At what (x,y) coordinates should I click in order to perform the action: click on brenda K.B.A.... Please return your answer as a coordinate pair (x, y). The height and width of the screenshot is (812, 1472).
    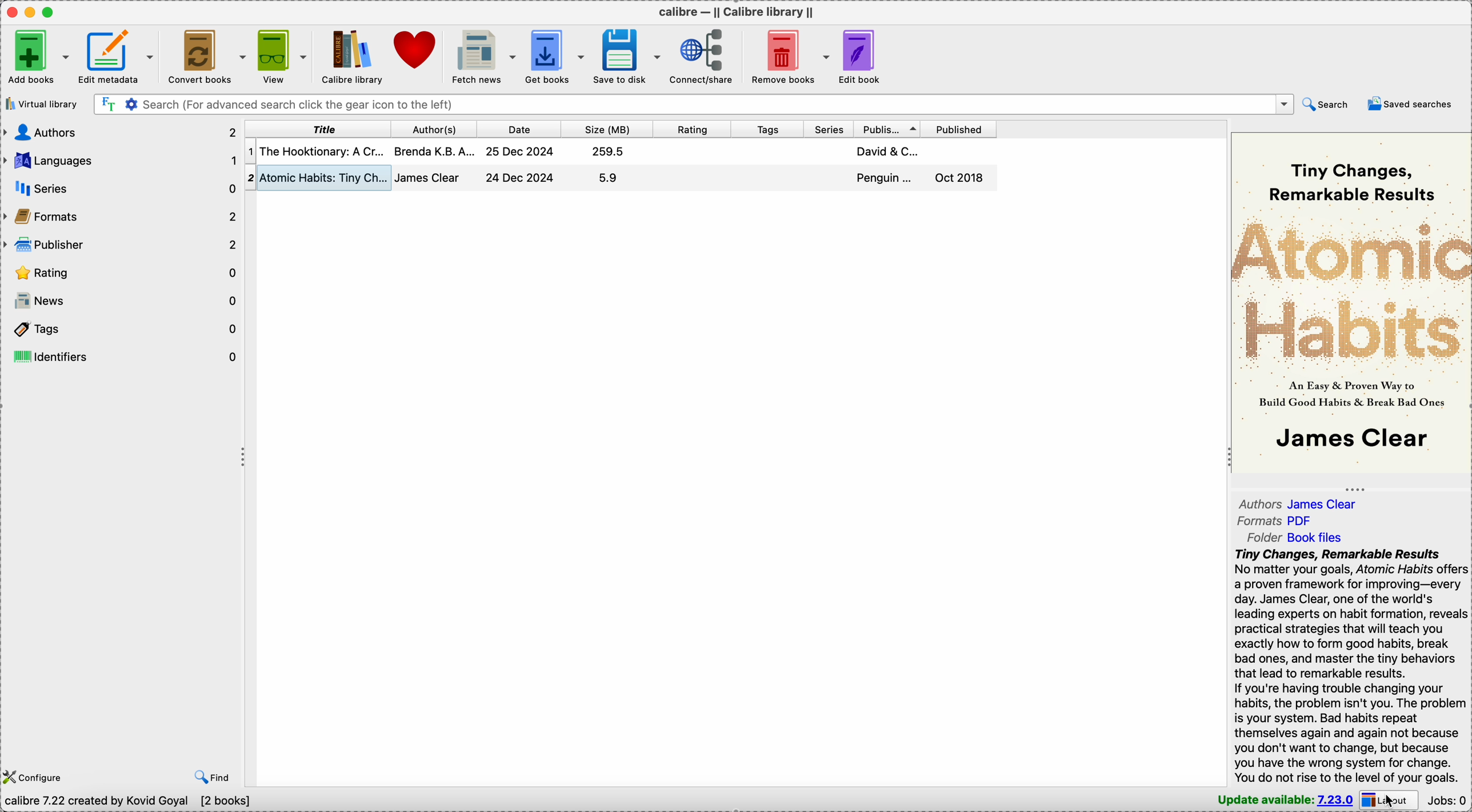
    Looking at the image, I should click on (434, 151).